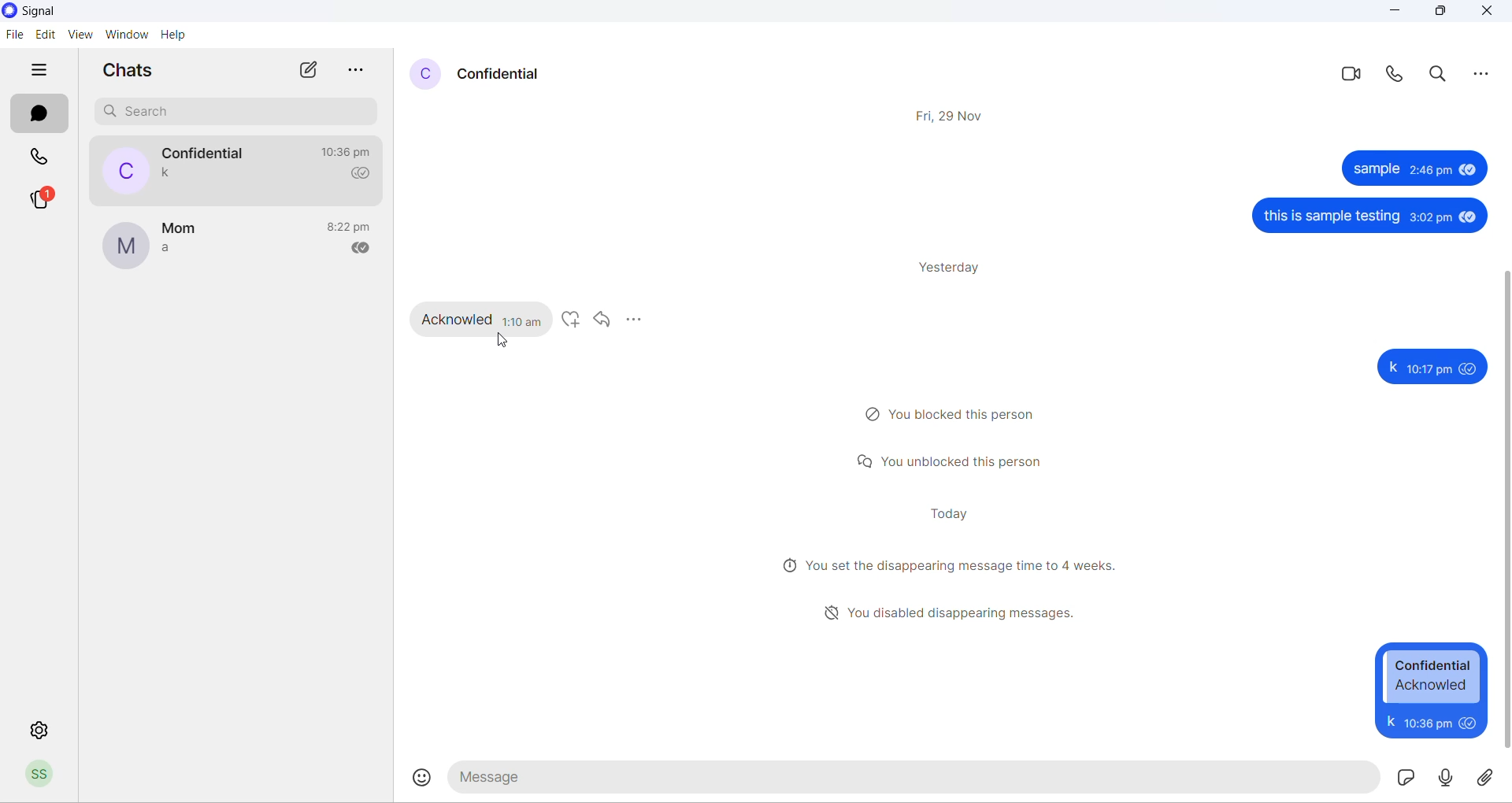 This screenshot has height=803, width=1512. Describe the element at coordinates (42, 201) in the screenshot. I see `stories` at that location.